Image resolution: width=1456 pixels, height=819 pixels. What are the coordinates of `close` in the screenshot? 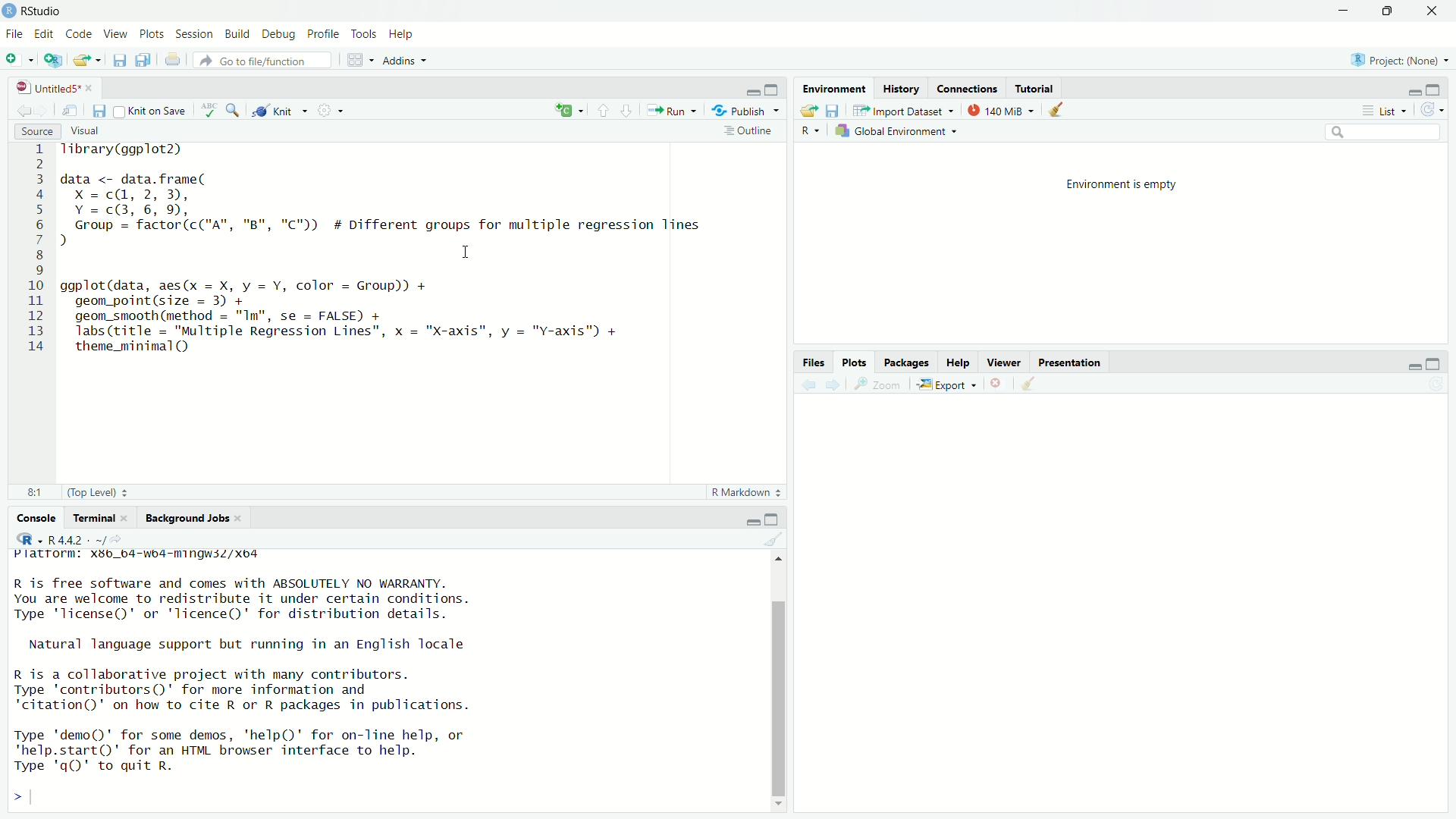 It's located at (1438, 11).